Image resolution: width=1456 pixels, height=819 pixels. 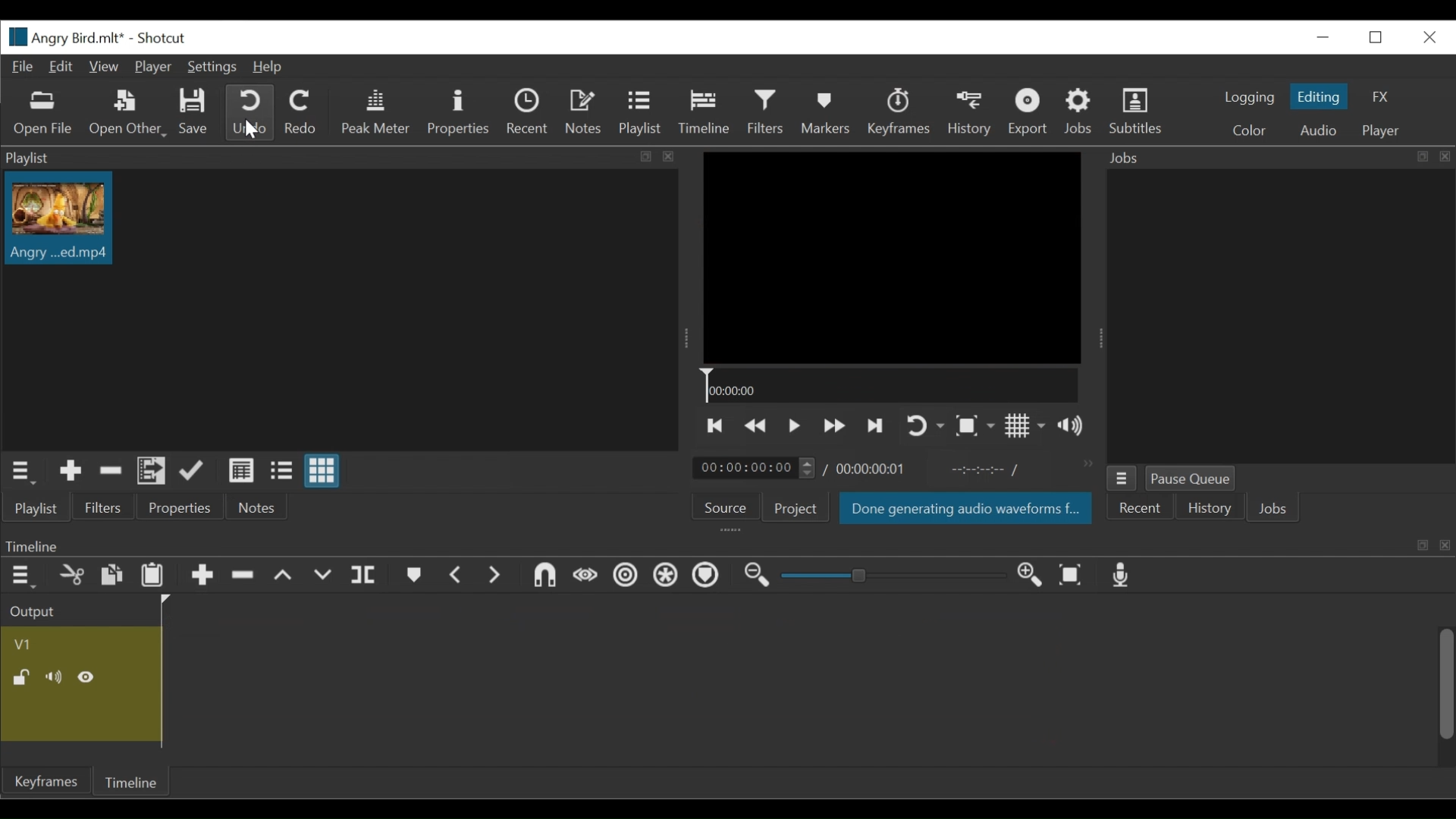 I want to click on File, so click(x=24, y=67).